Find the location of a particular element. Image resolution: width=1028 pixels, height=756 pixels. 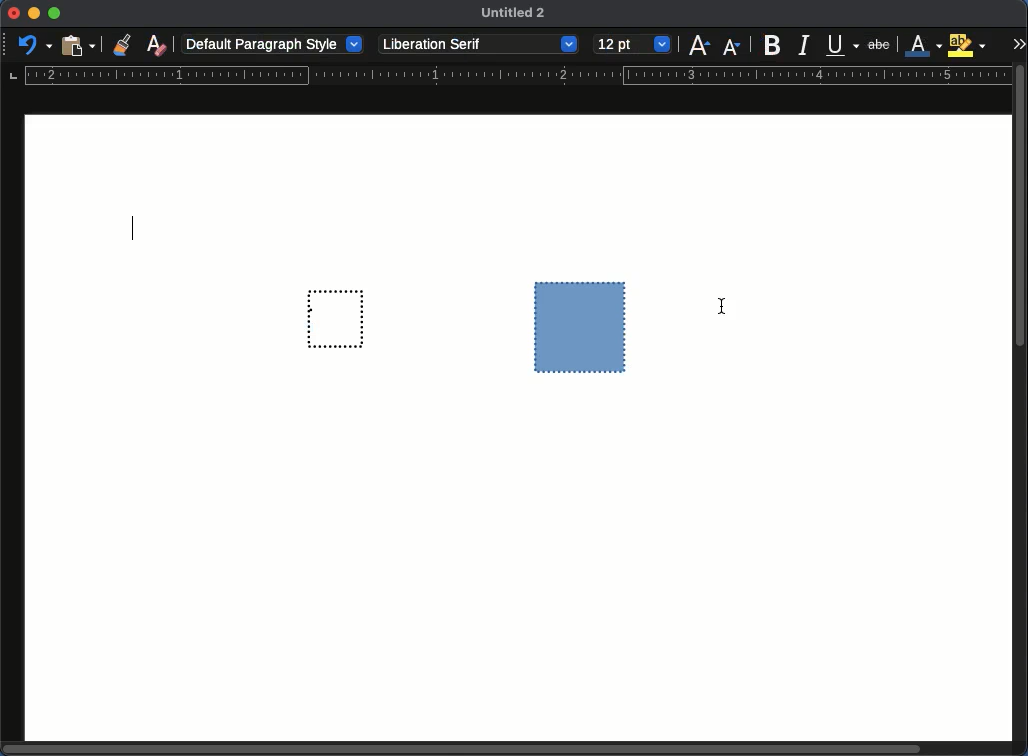

guide is located at coordinates (518, 75).